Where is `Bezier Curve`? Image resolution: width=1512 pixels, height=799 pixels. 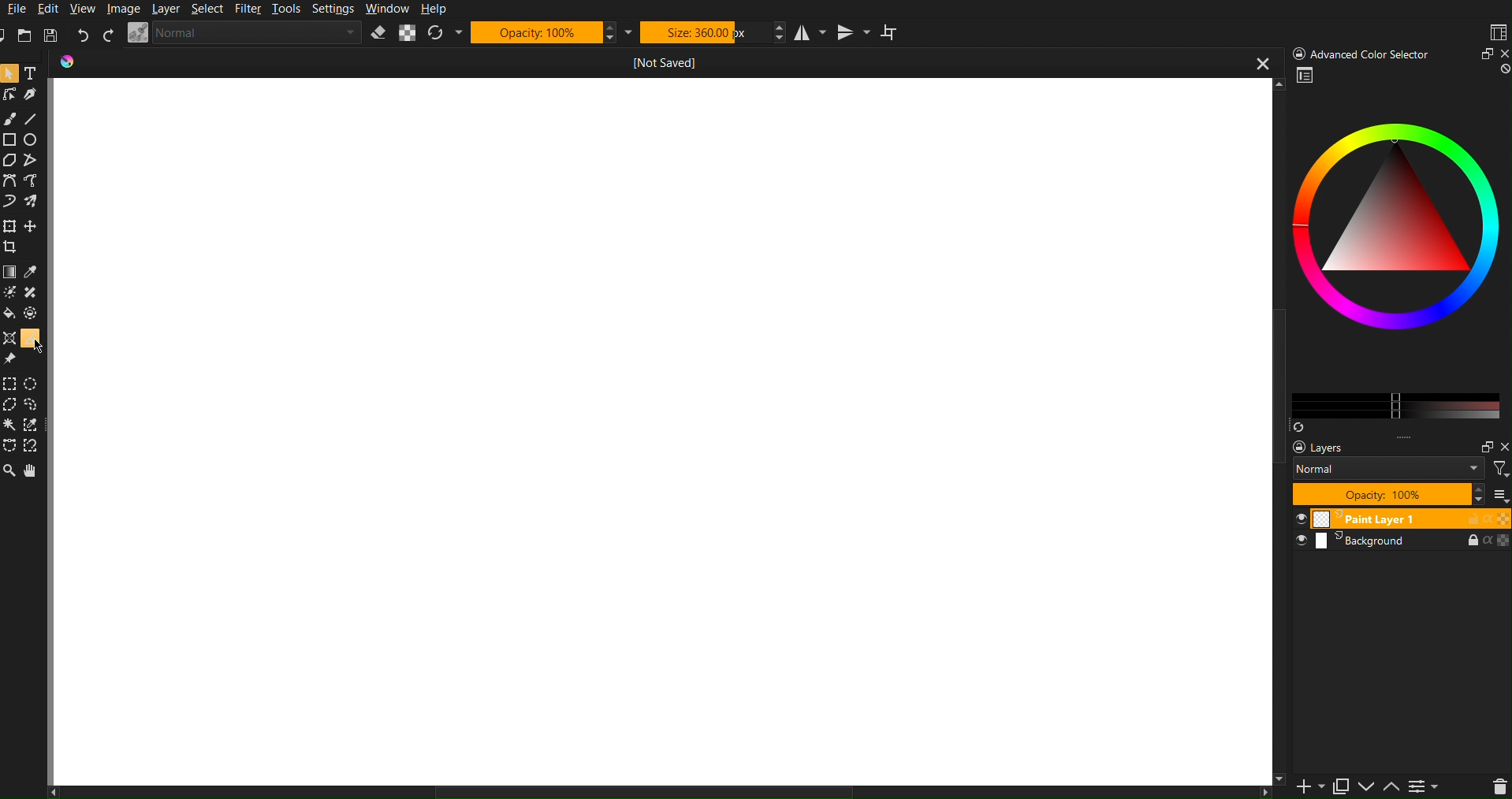 Bezier Curve is located at coordinates (35, 180).